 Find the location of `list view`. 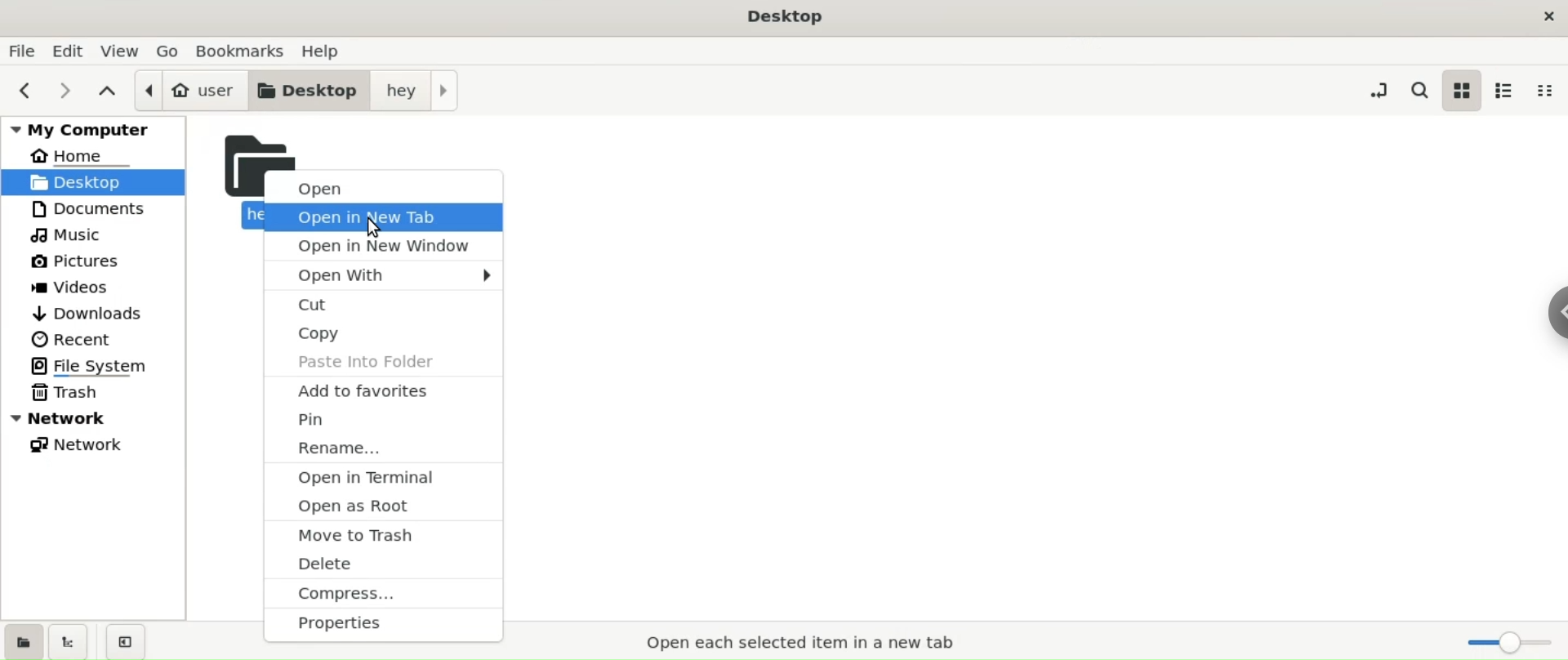

list view is located at coordinates (1507, 90).